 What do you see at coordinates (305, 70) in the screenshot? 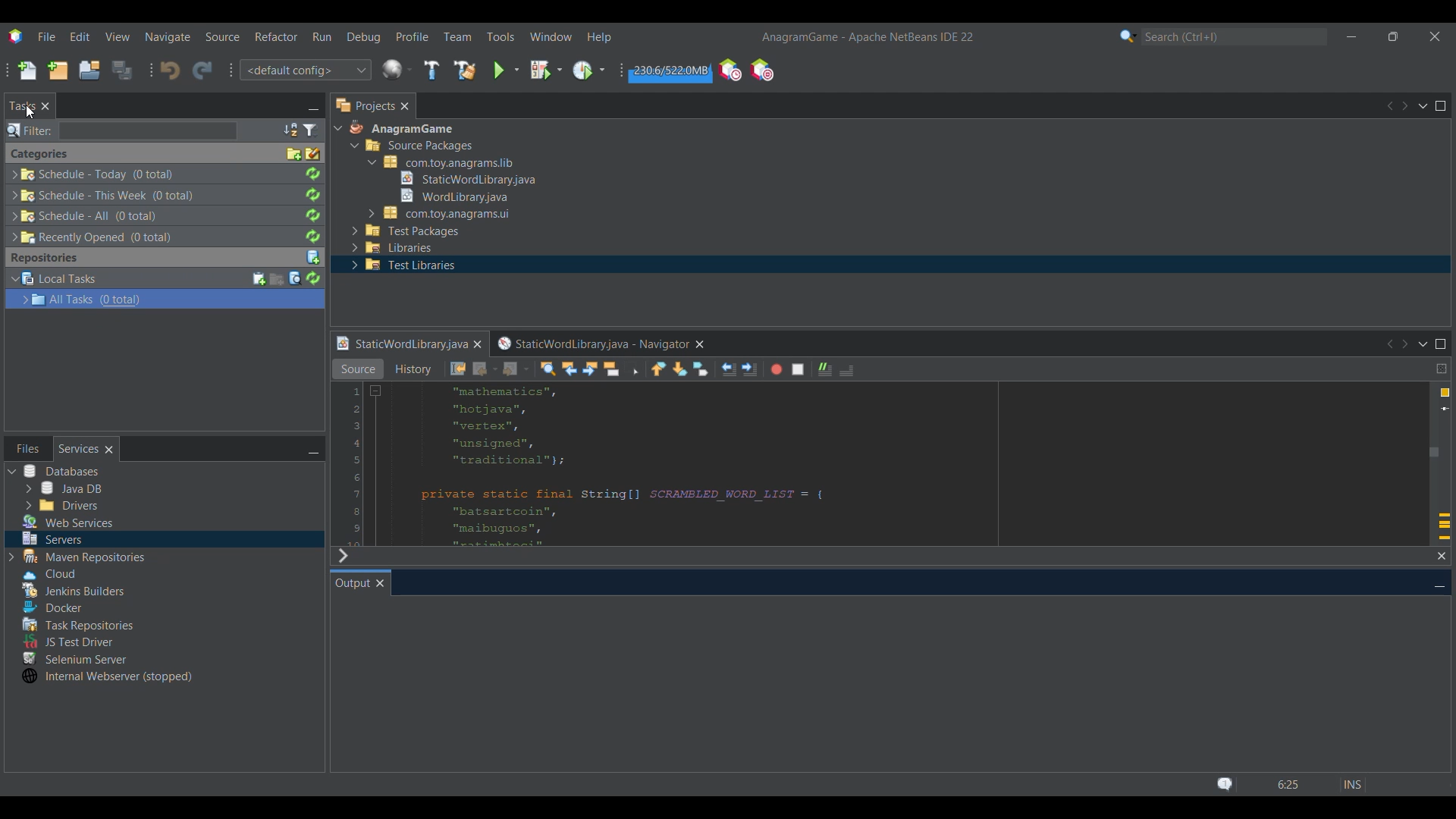
I see `Default configuration options` at bounding box center [305, 70].